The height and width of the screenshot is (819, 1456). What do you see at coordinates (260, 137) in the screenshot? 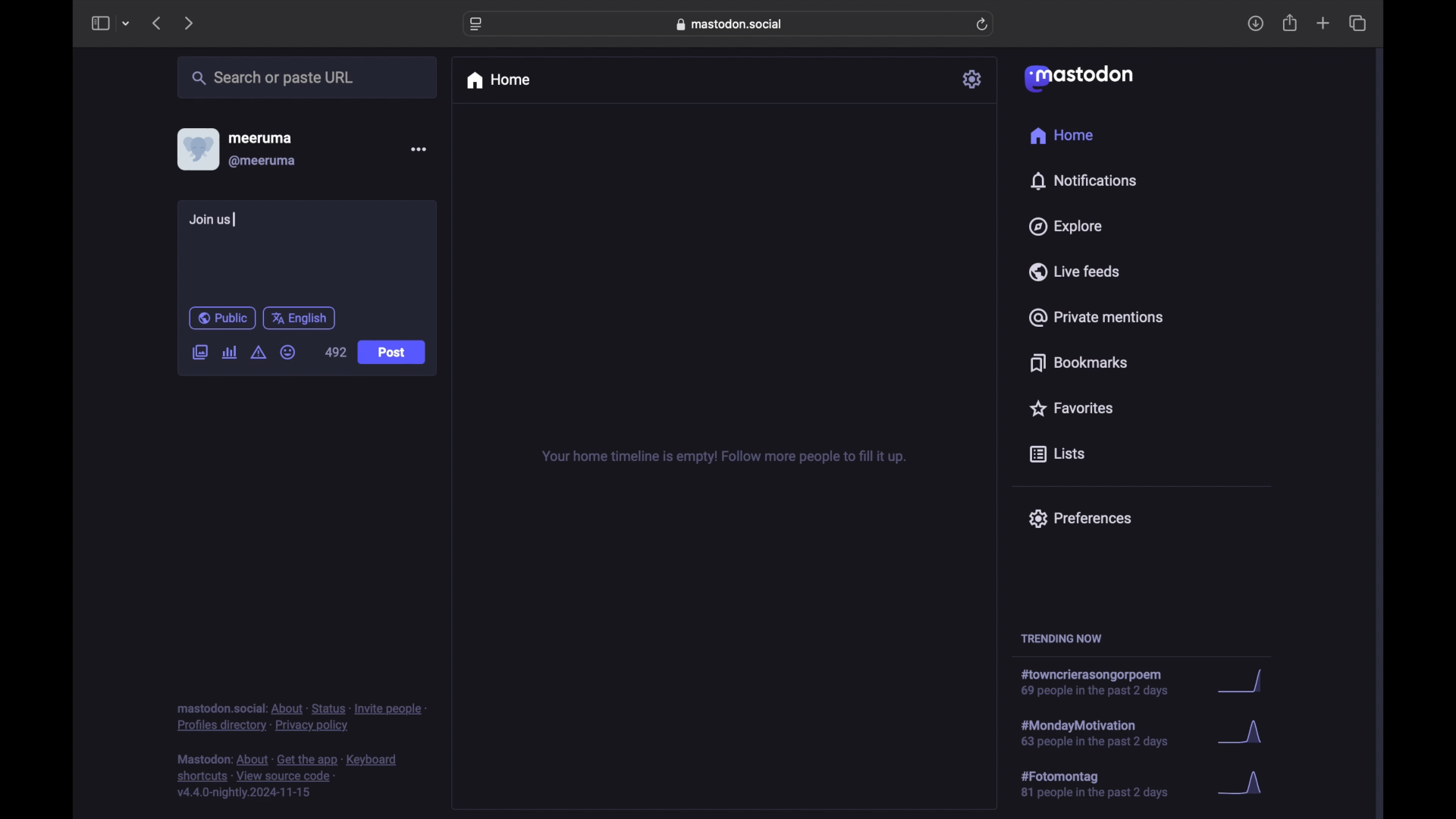
I see `meeruma` at bounding box center [260, 137].